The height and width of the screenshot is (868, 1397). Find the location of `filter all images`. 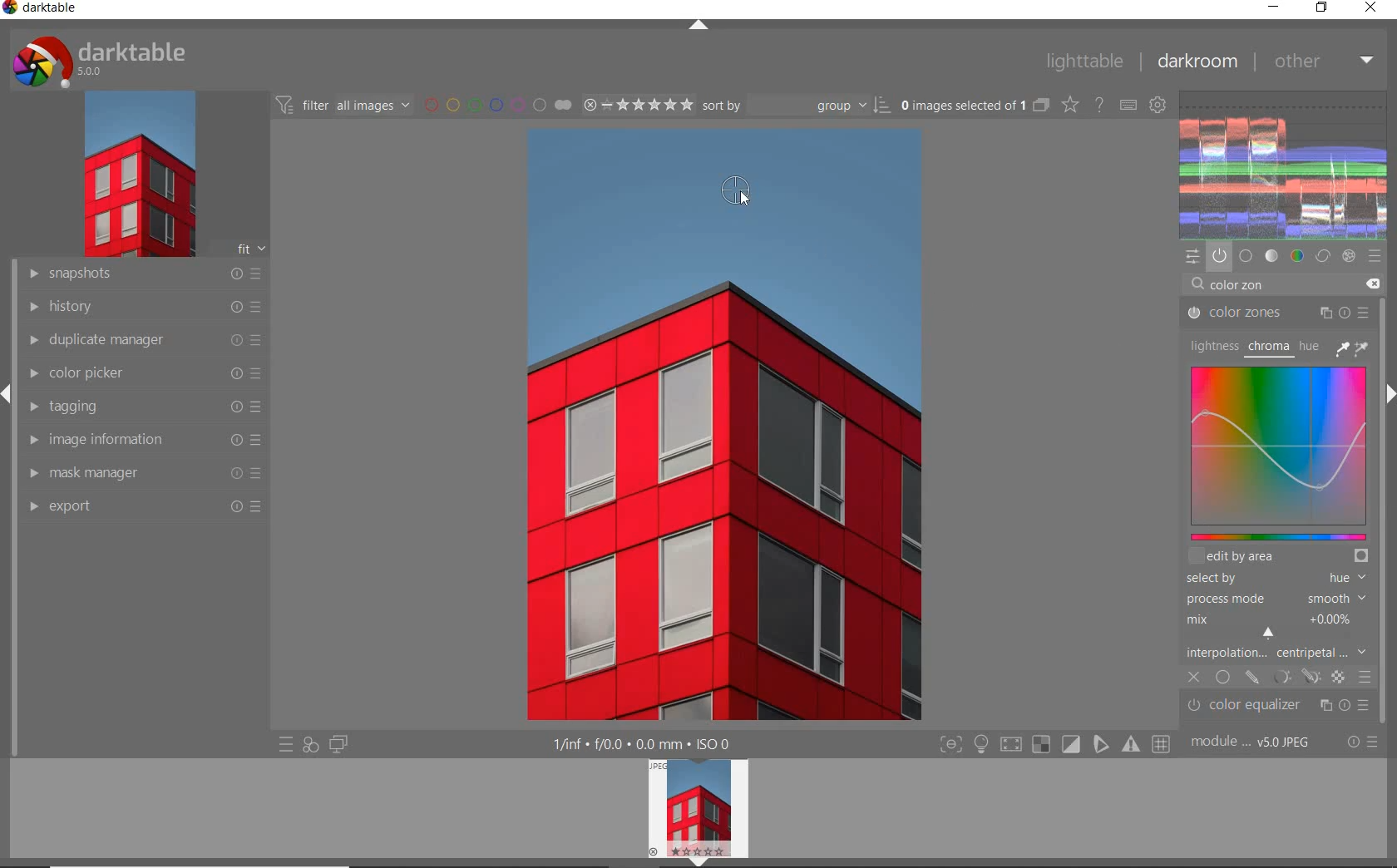

filter all images is located at coordinates (344, 105).